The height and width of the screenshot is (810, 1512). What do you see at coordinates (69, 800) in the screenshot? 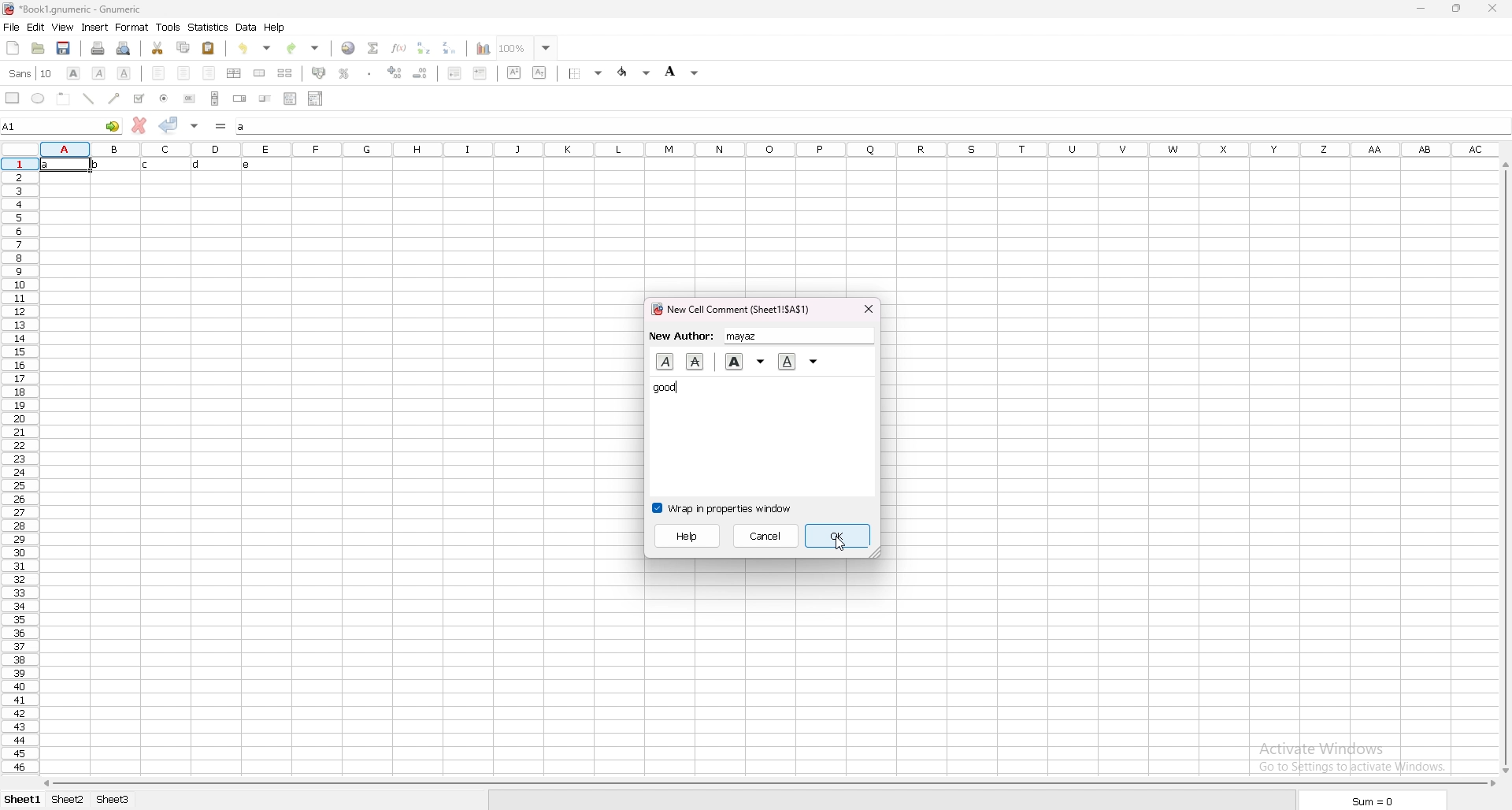
I see `sheet2` at bounding box center [69, 800].